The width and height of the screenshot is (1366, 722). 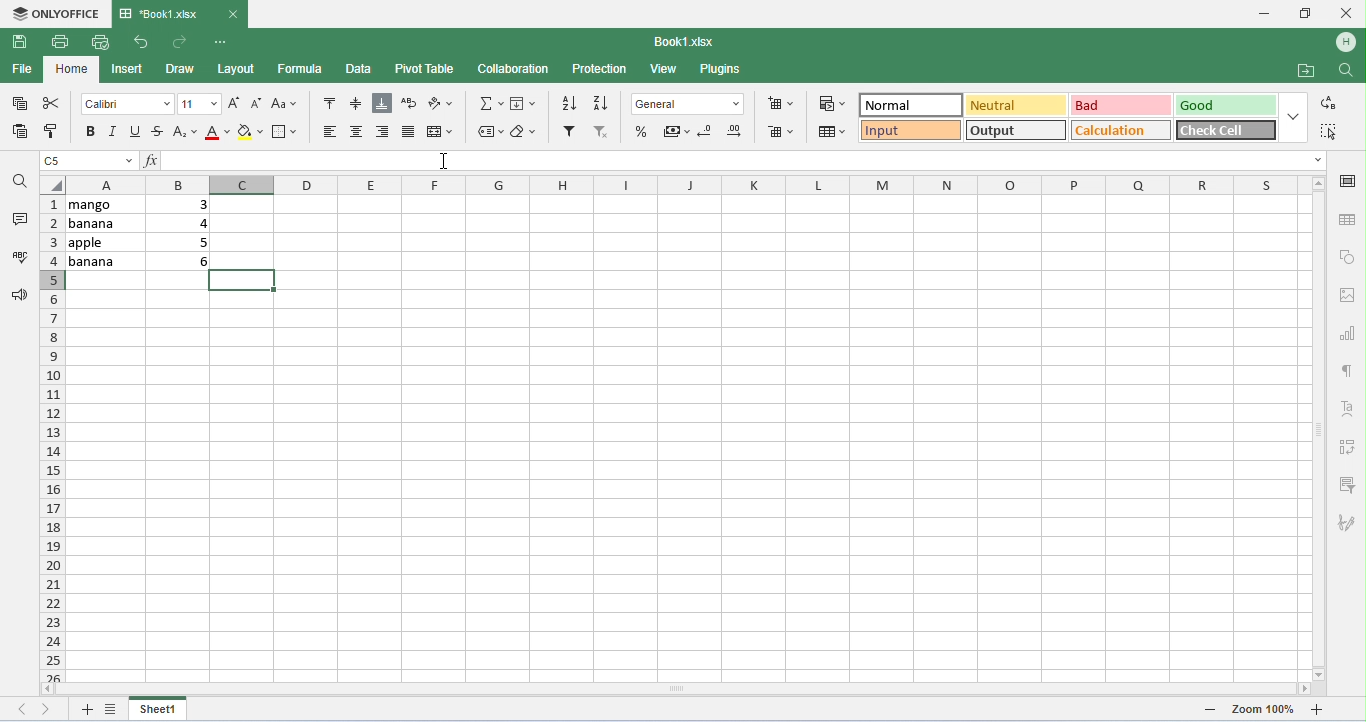 I want to click on zoom 100%, so click(x=1263, y=710).